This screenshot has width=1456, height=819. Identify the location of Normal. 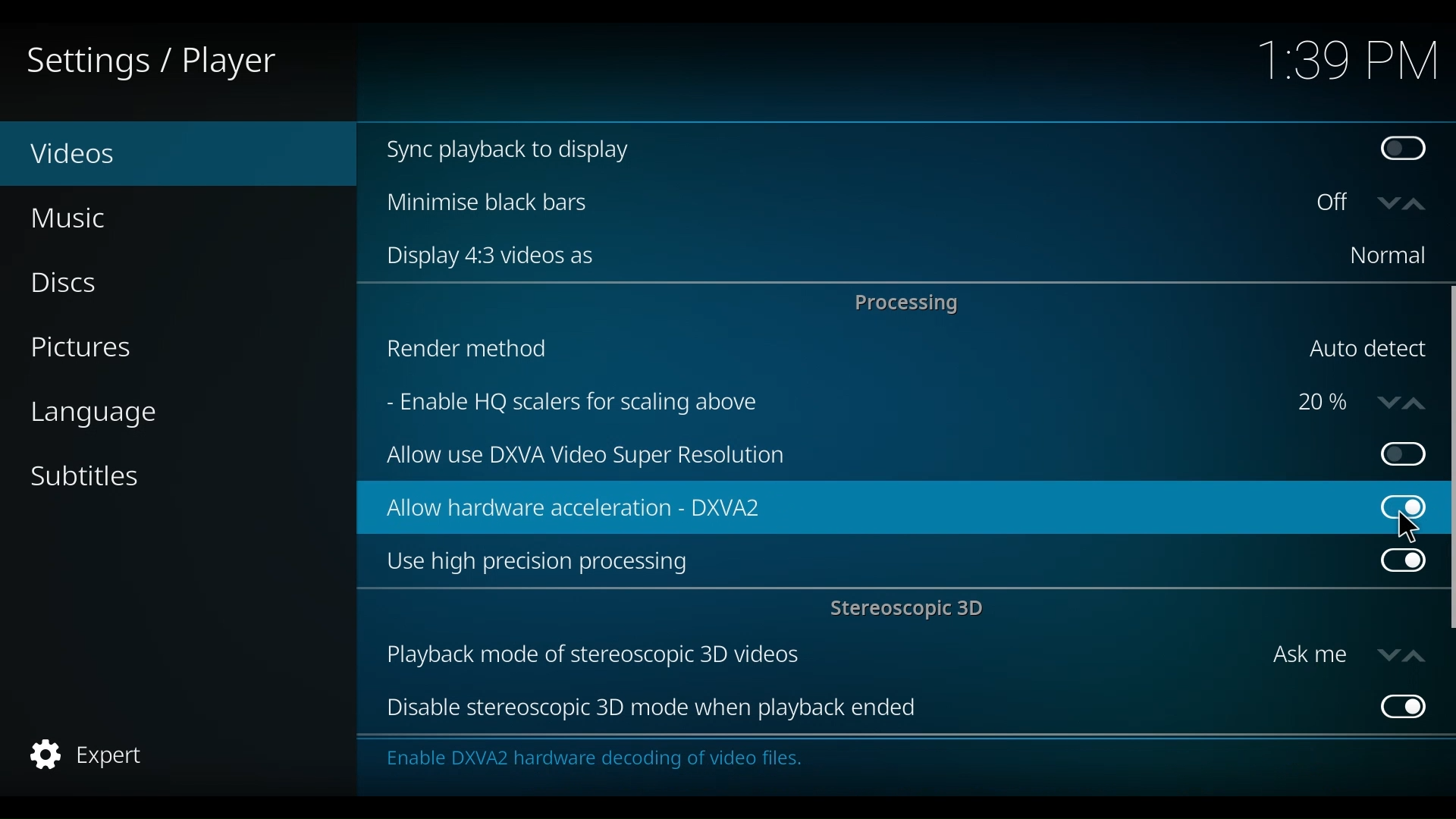
(1386, 256).